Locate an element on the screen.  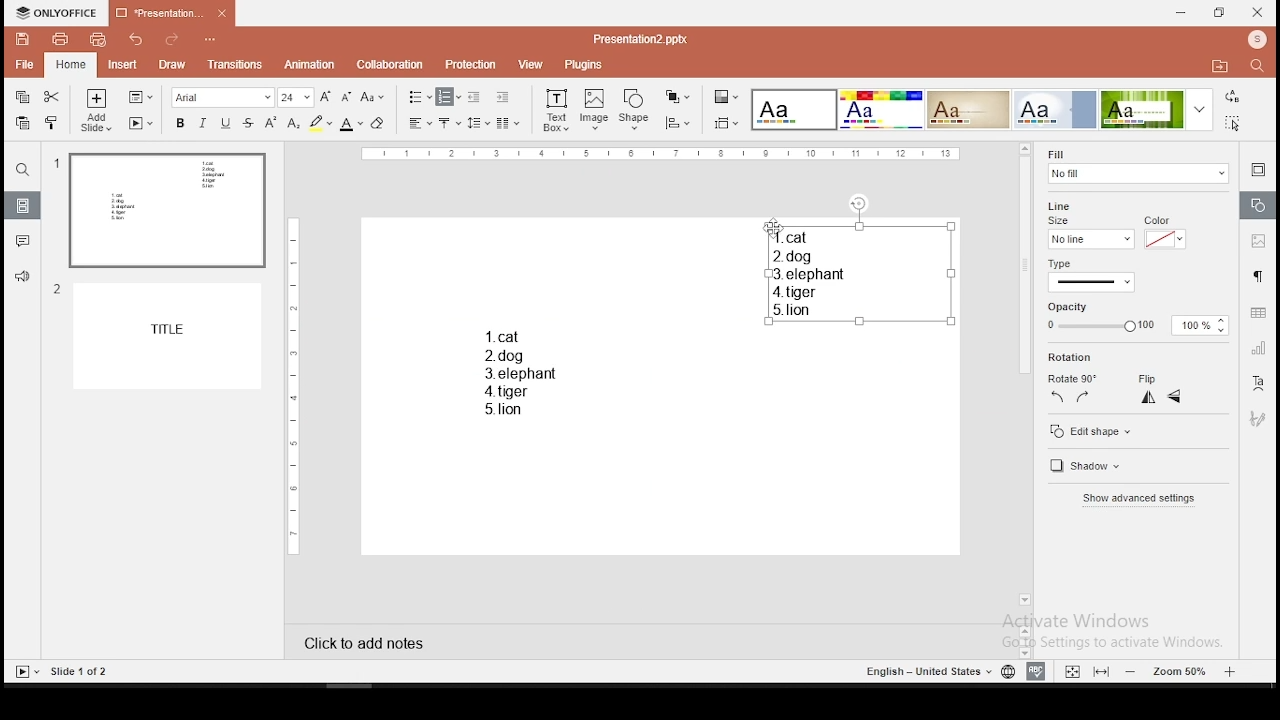
shape is located at coordinates (635, 111).